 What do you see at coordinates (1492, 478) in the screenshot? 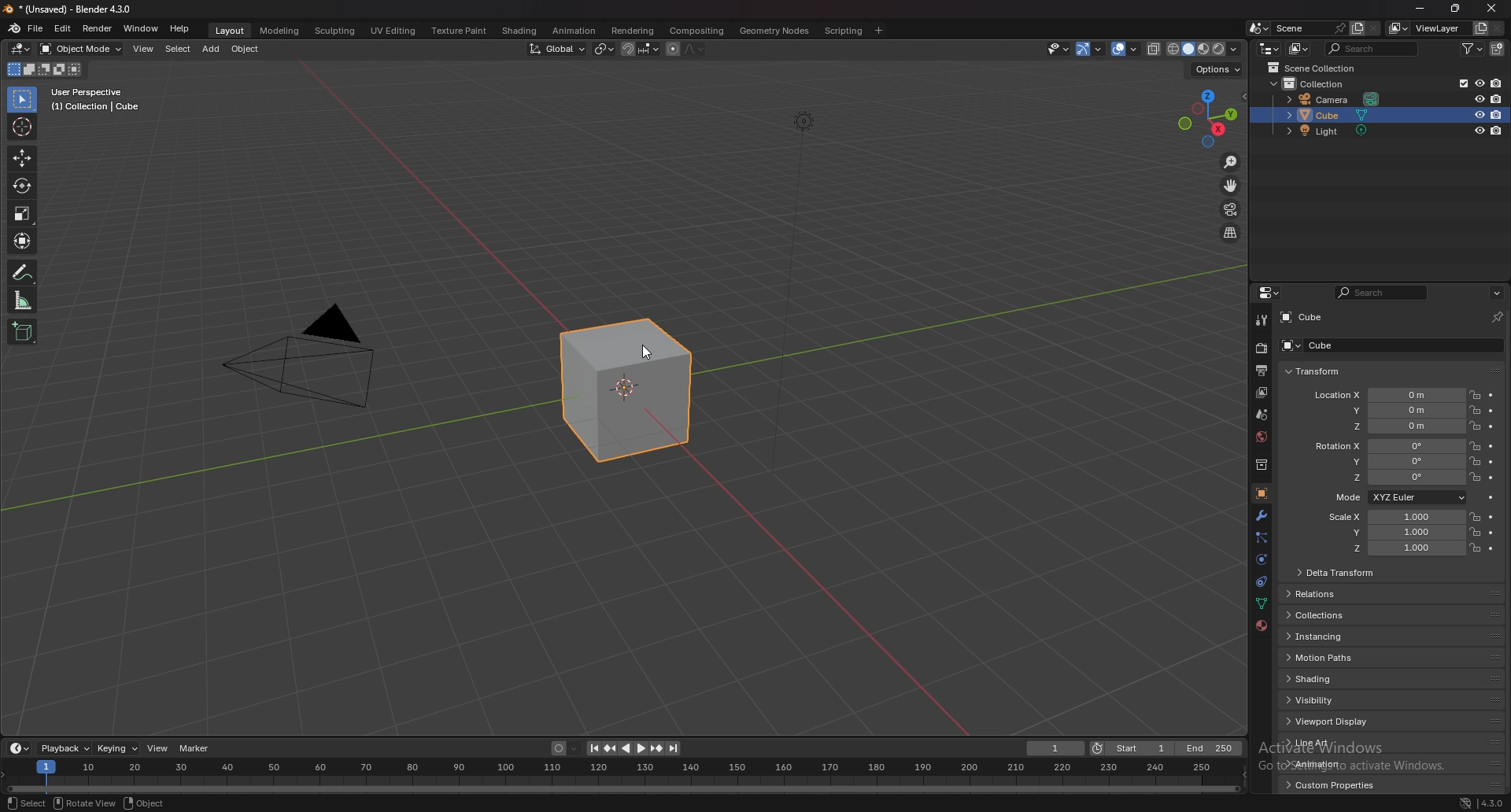
I see `animate property` at bounding box center [1492, 478].